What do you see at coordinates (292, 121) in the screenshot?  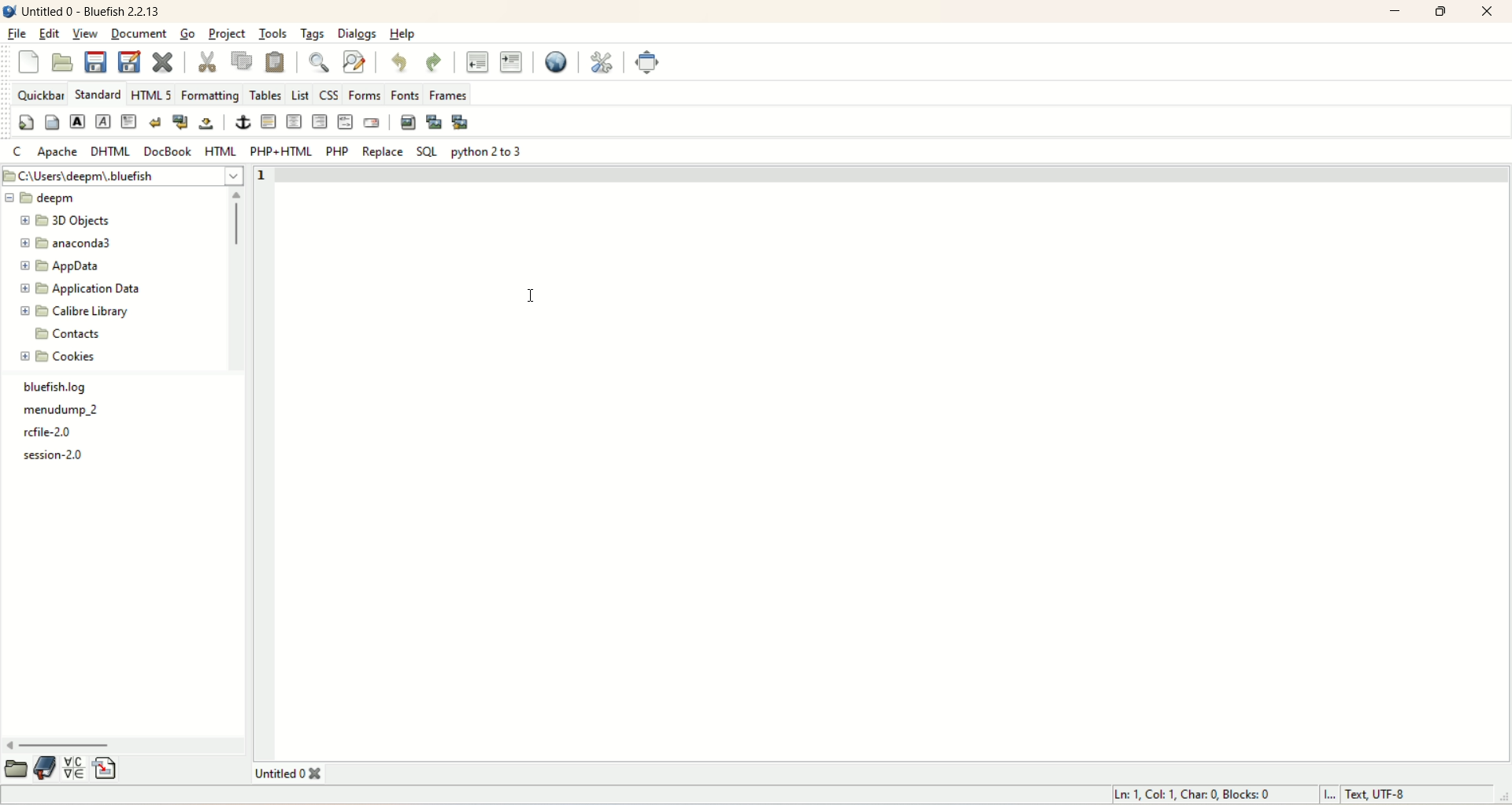 I see `center` at bounding box center [292, 121].